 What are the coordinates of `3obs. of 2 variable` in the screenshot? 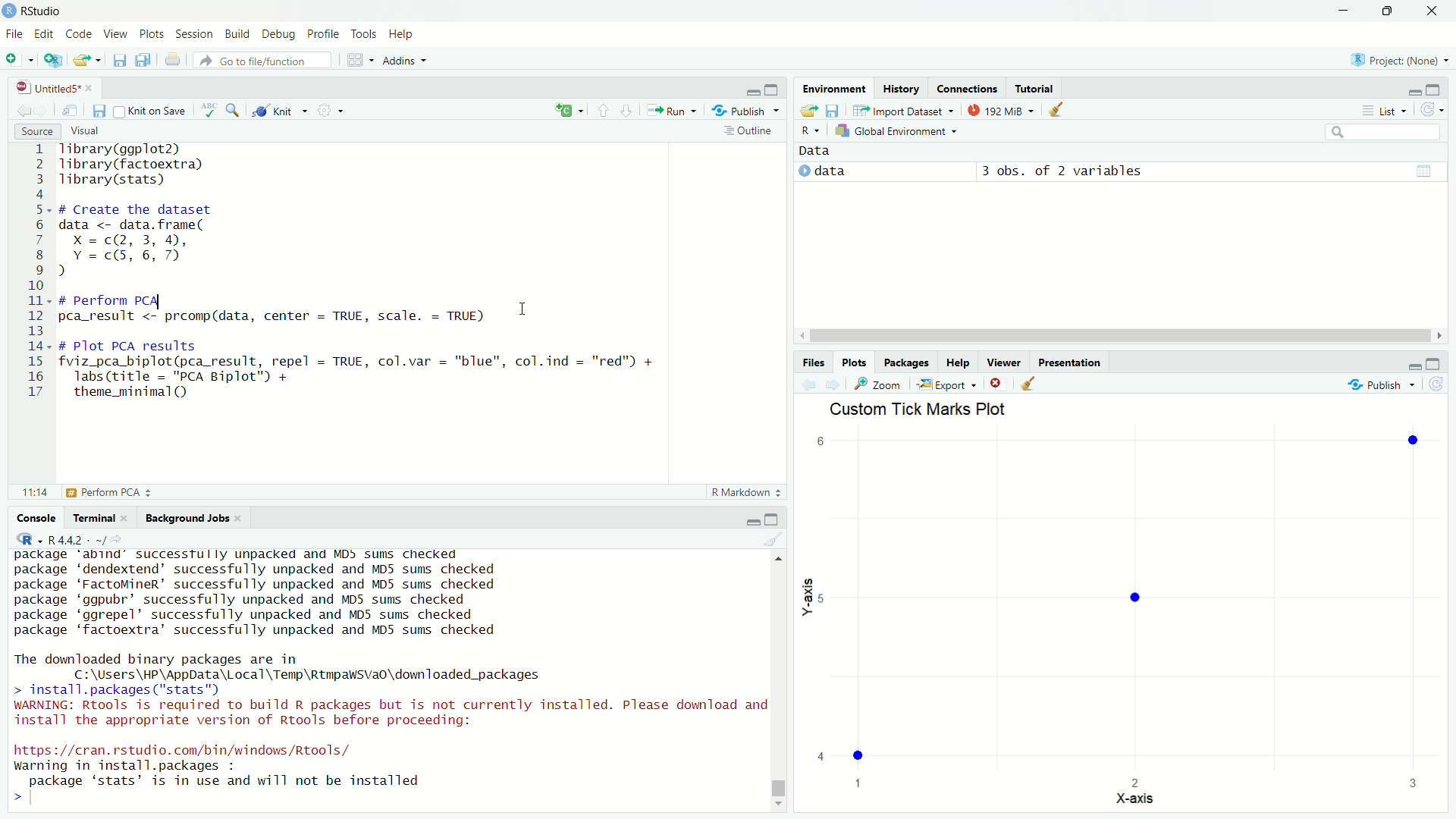 It's located at (1203, 173).